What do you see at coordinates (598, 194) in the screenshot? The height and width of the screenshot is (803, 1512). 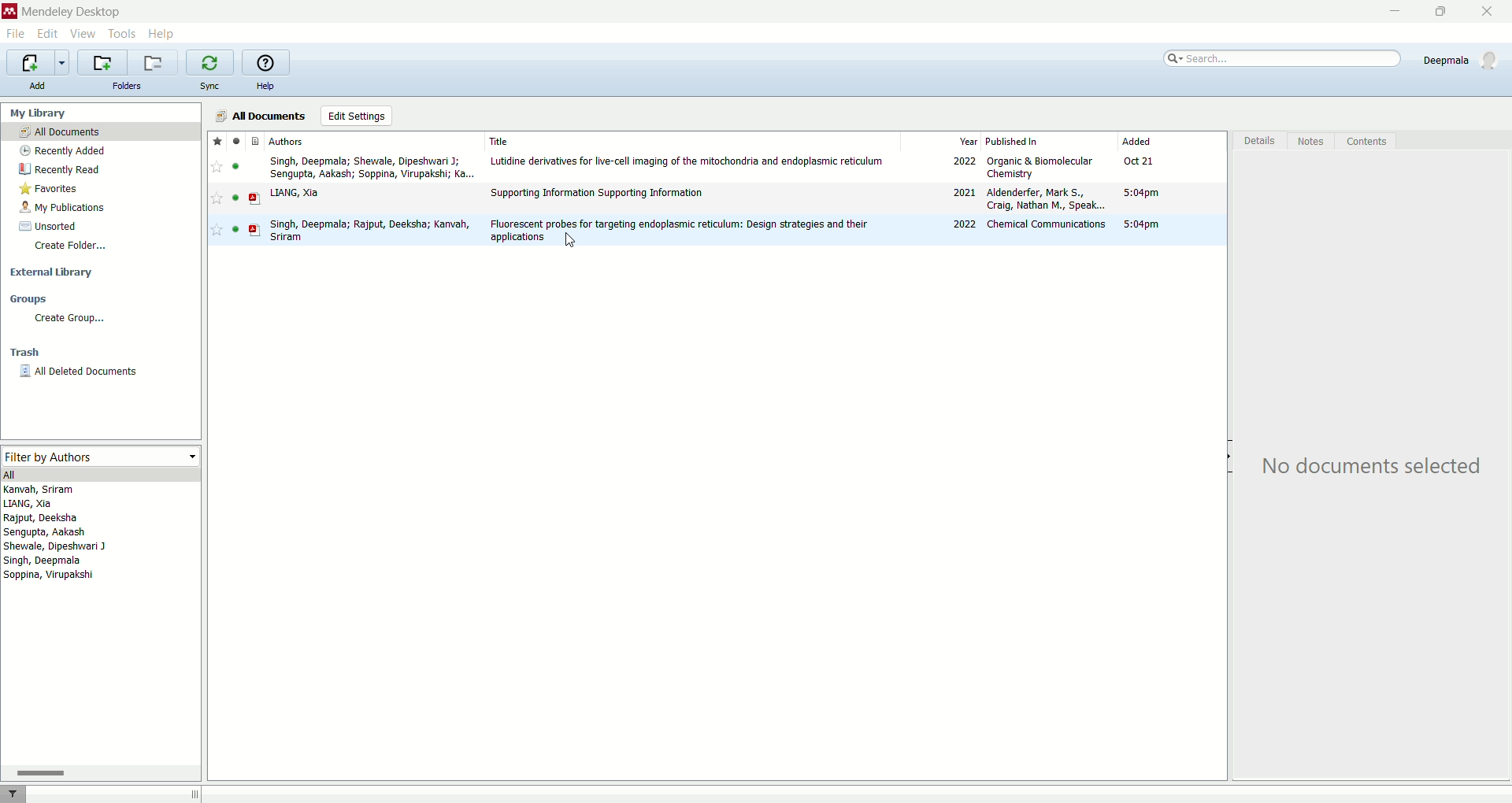 I see `Supporting Information Supporting Information` at bounding box center [598, 194].